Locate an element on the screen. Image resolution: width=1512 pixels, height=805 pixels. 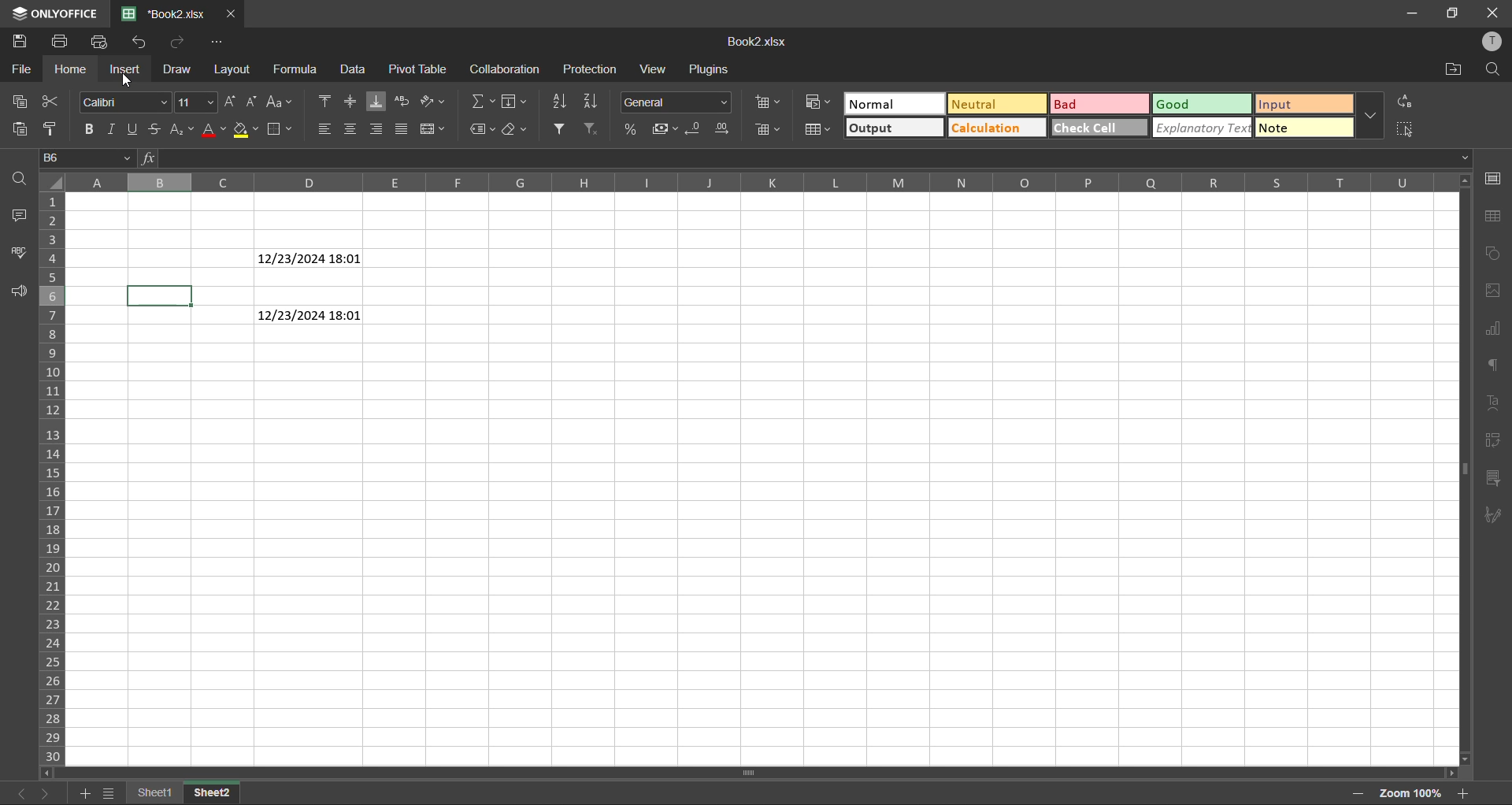
image is located at coordinates (1492, 291).